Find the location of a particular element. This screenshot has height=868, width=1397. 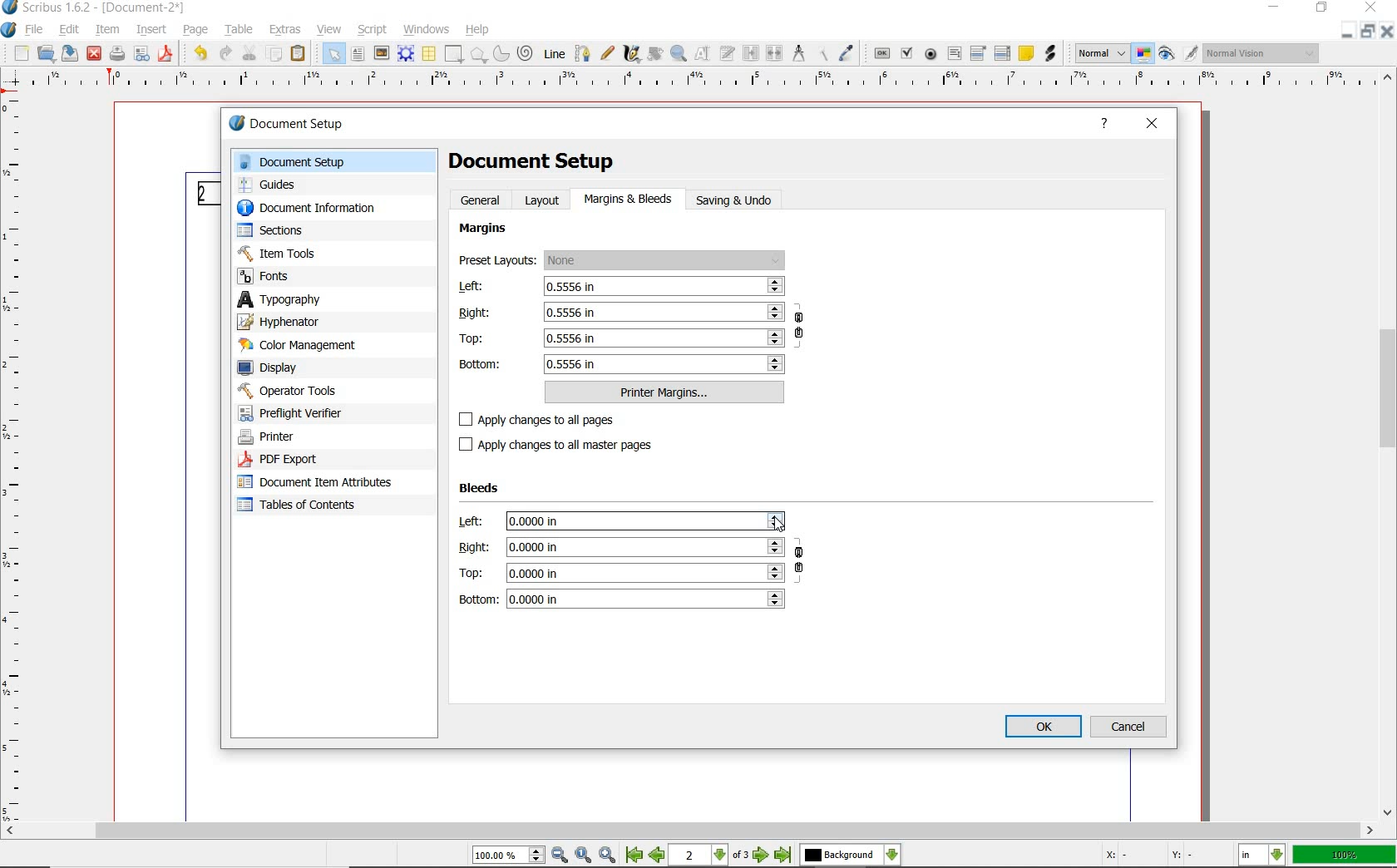

select is located at coordinates (334, 57).